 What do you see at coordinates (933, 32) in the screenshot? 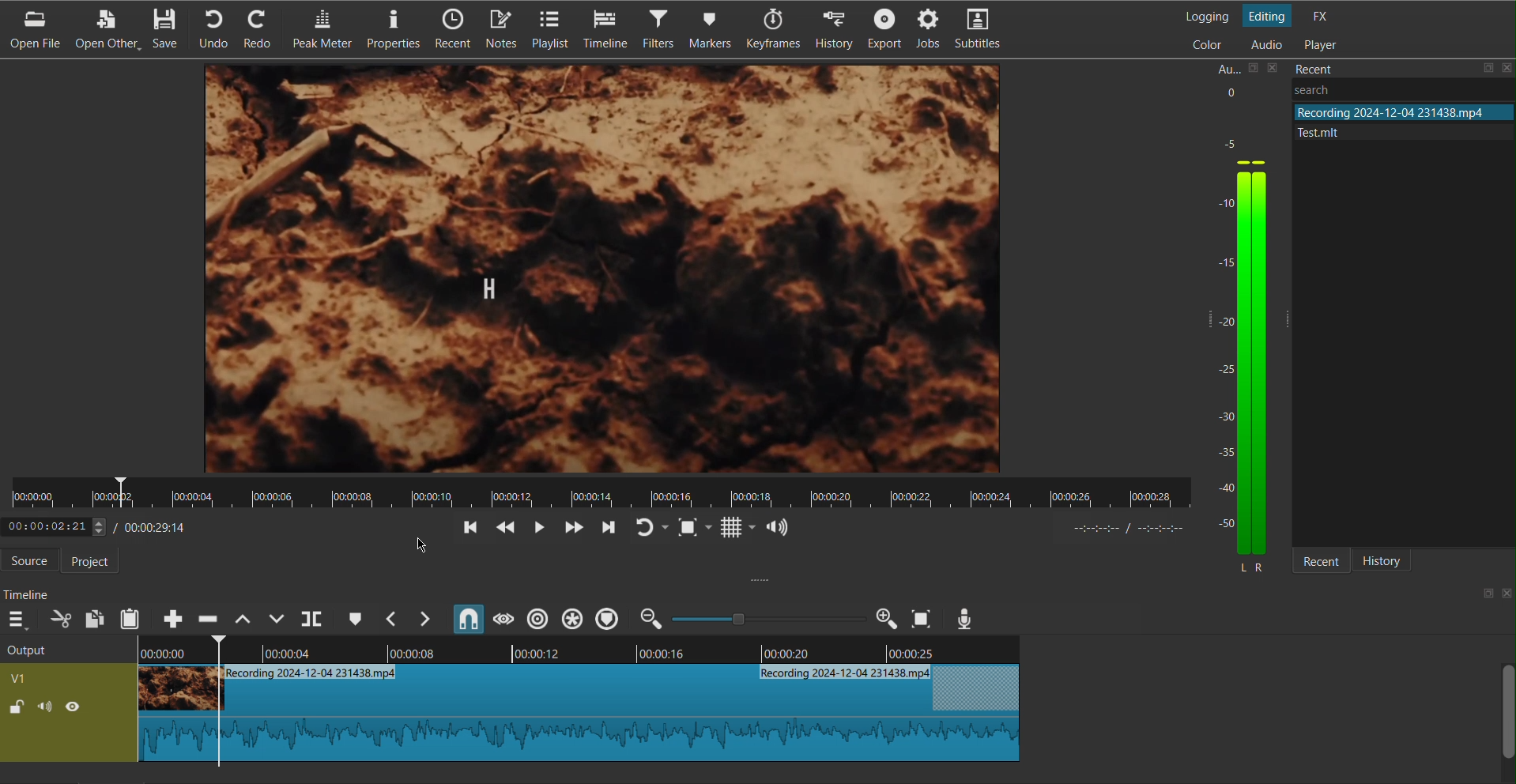
I see `Jobs` at bounding box center [933, 32].